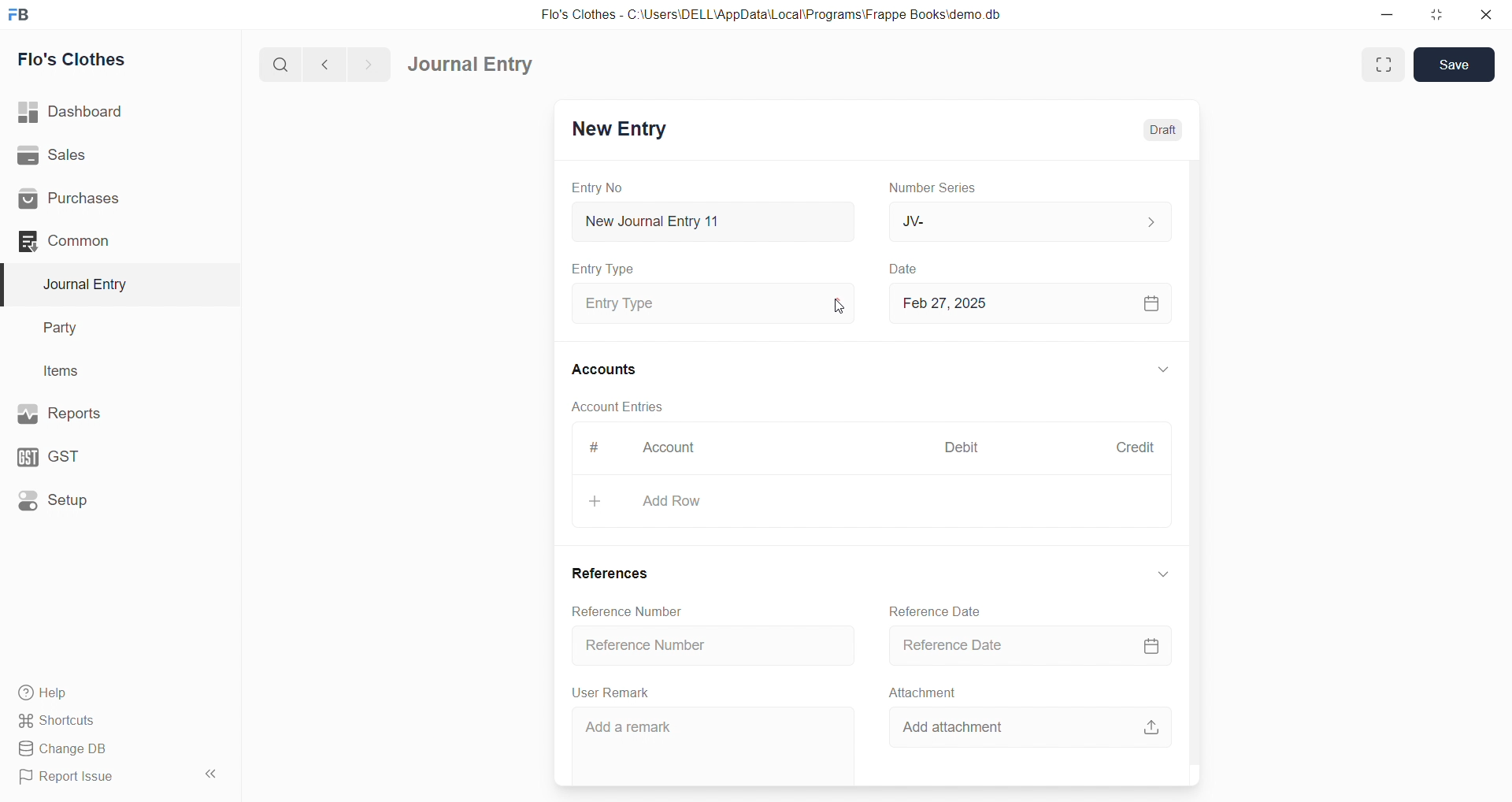 This screenshot has width=1512, height=802. Describe the element at coordinates (94, 780) in the screenshot. I see `Report Issue` at that location.